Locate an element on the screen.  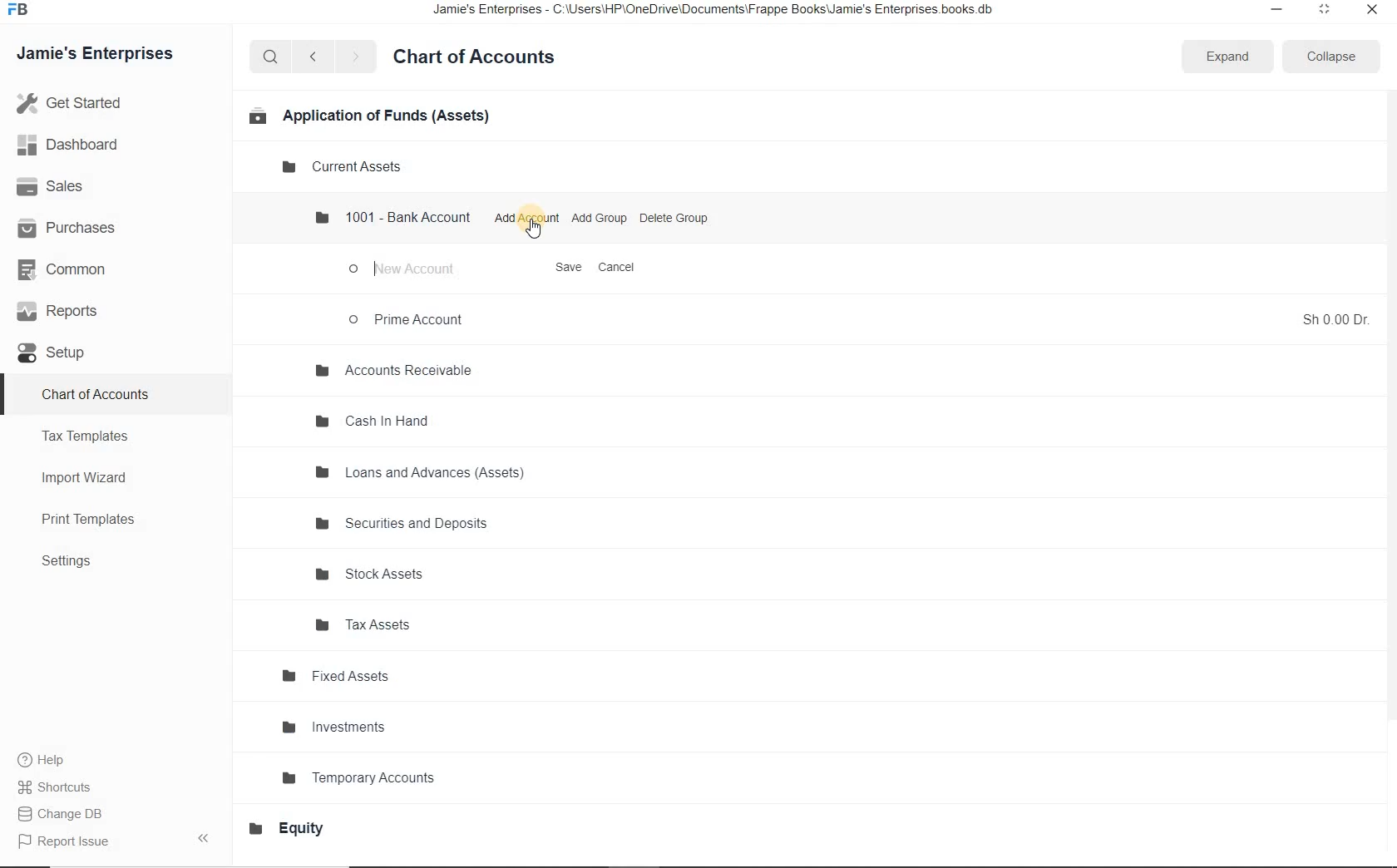
Shortcuts is located at coordinates (57, 787).